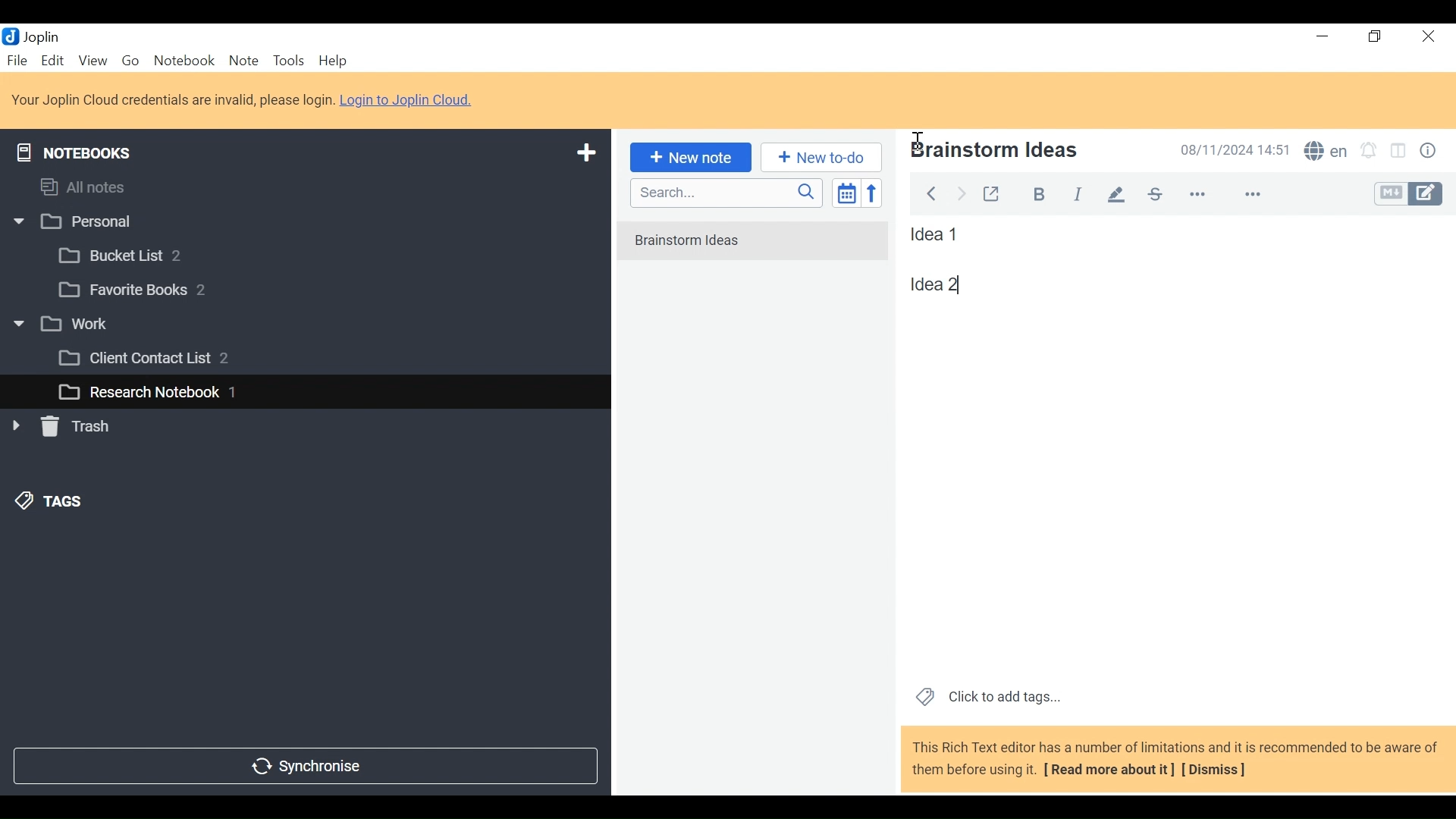  What do you see at coordinates (1231, 149) in the screenshot?
I see `Date and Time` at bounding box center [1231, 149].